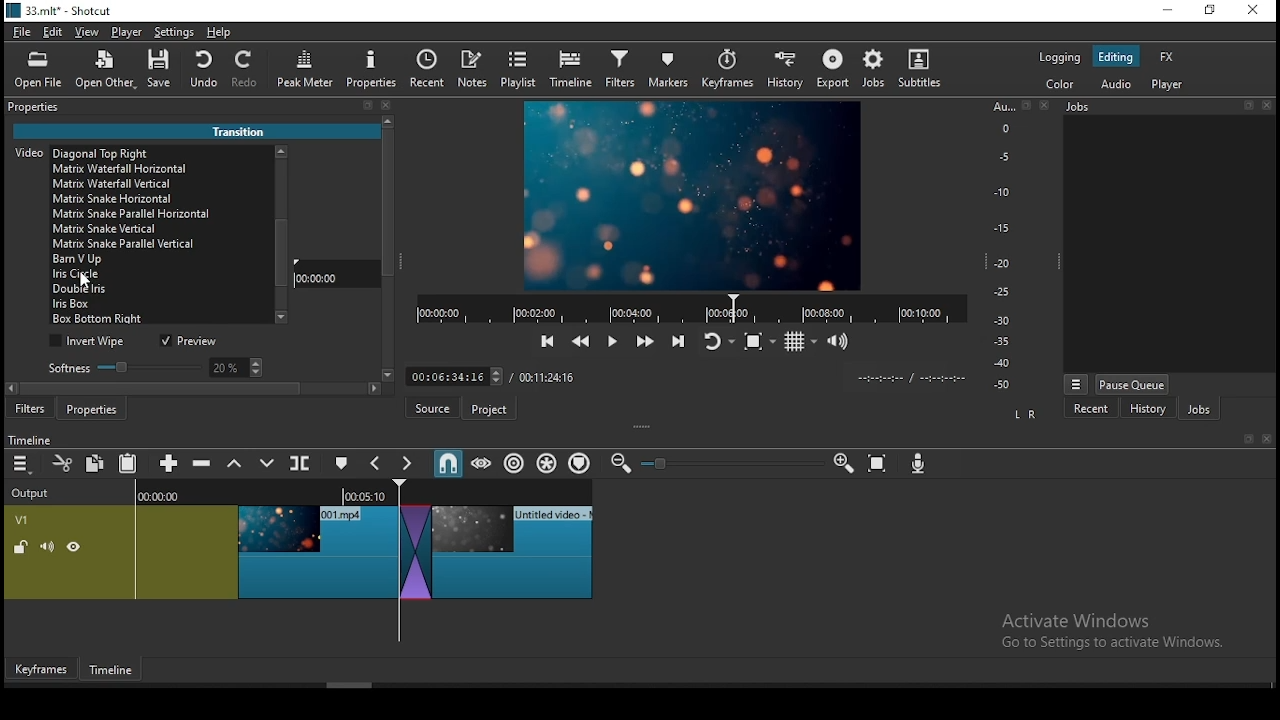 This screenshot has height=720, width=1280. What do you see at coordinates (1122, 630) in the screenshot?
I see `Activate windows` at bounding box center [1122, 630].